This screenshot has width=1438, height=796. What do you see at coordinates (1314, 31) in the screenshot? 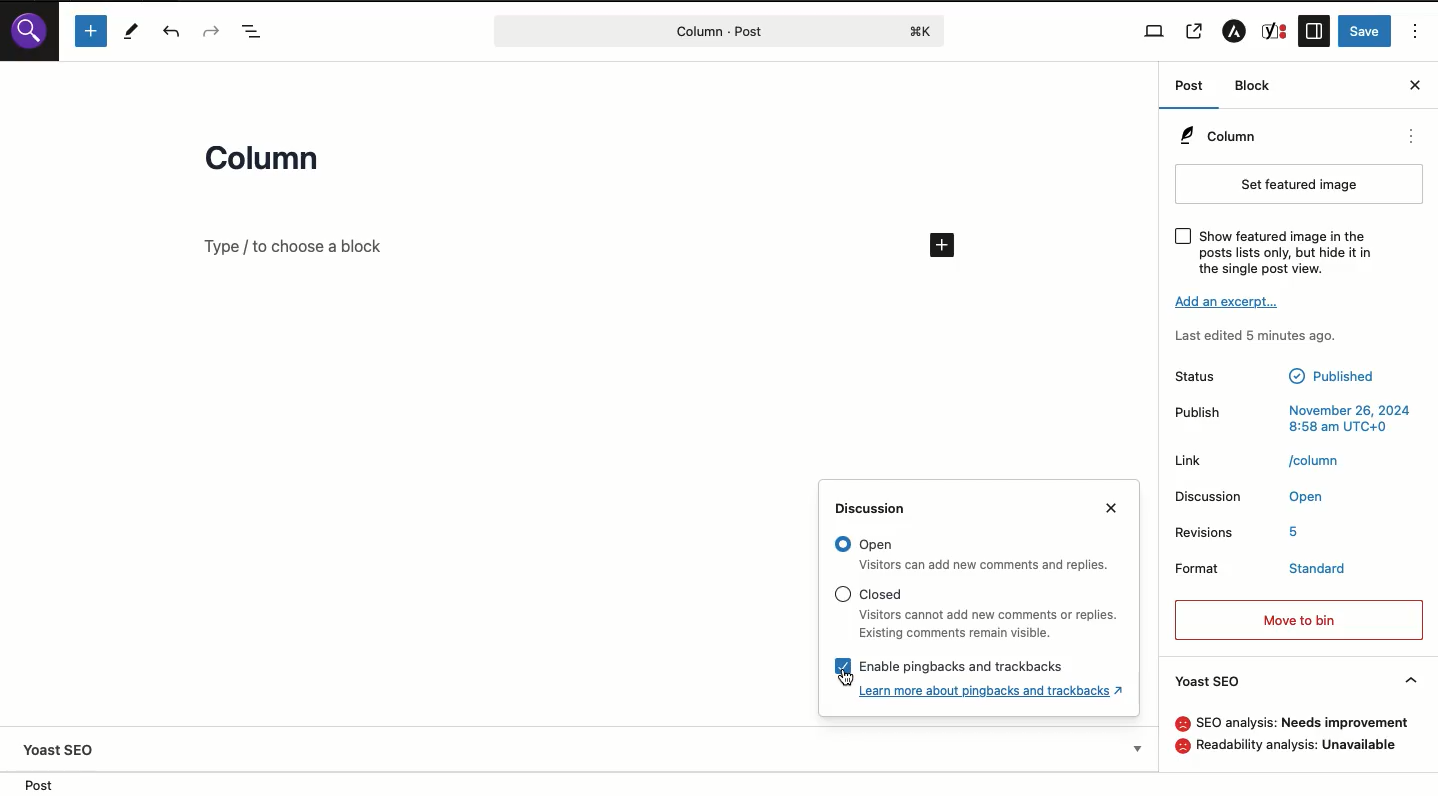
I see `Sidebar` at bounding box center [1314, 31].